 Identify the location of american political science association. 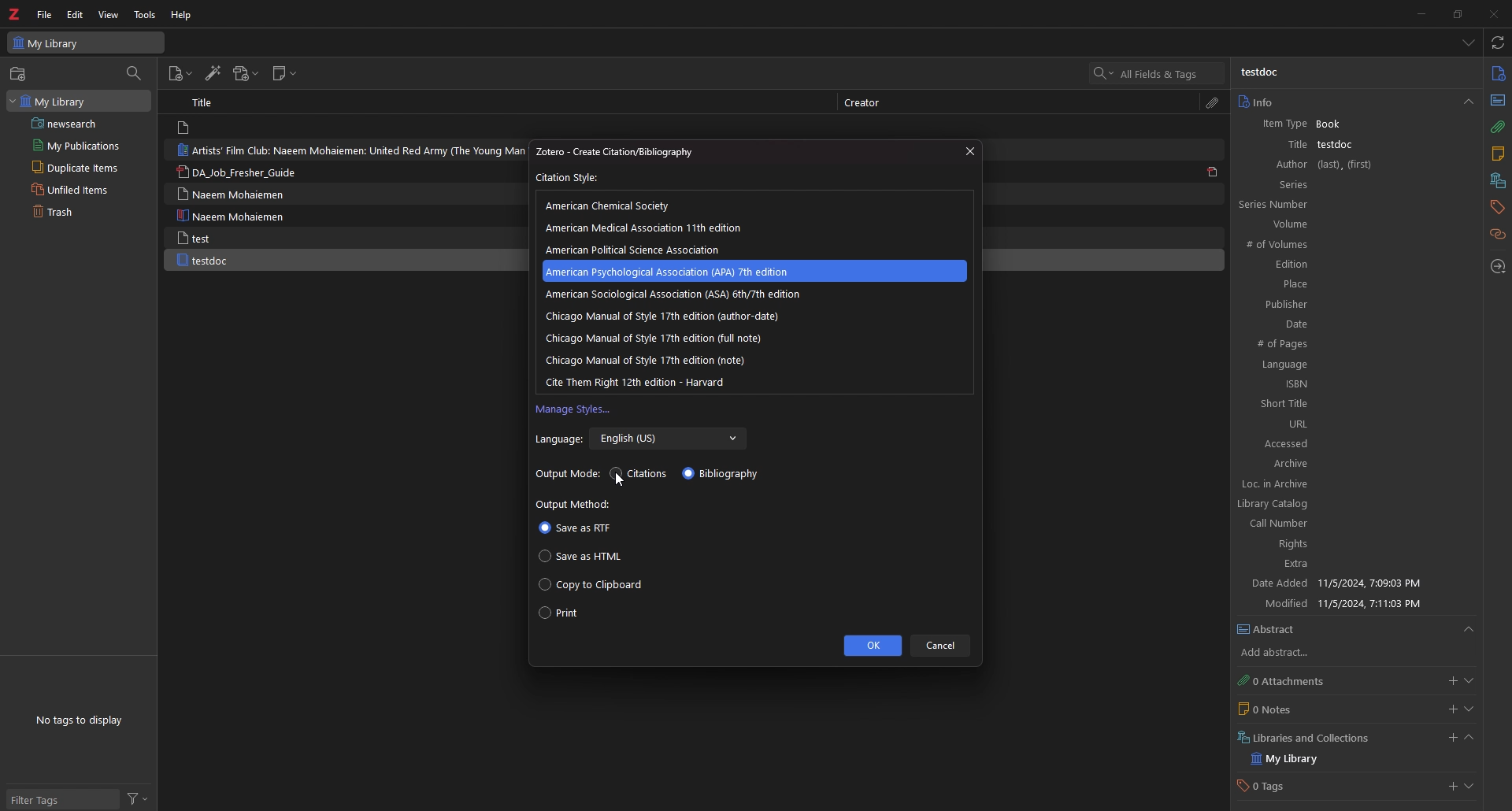
(640, 250).